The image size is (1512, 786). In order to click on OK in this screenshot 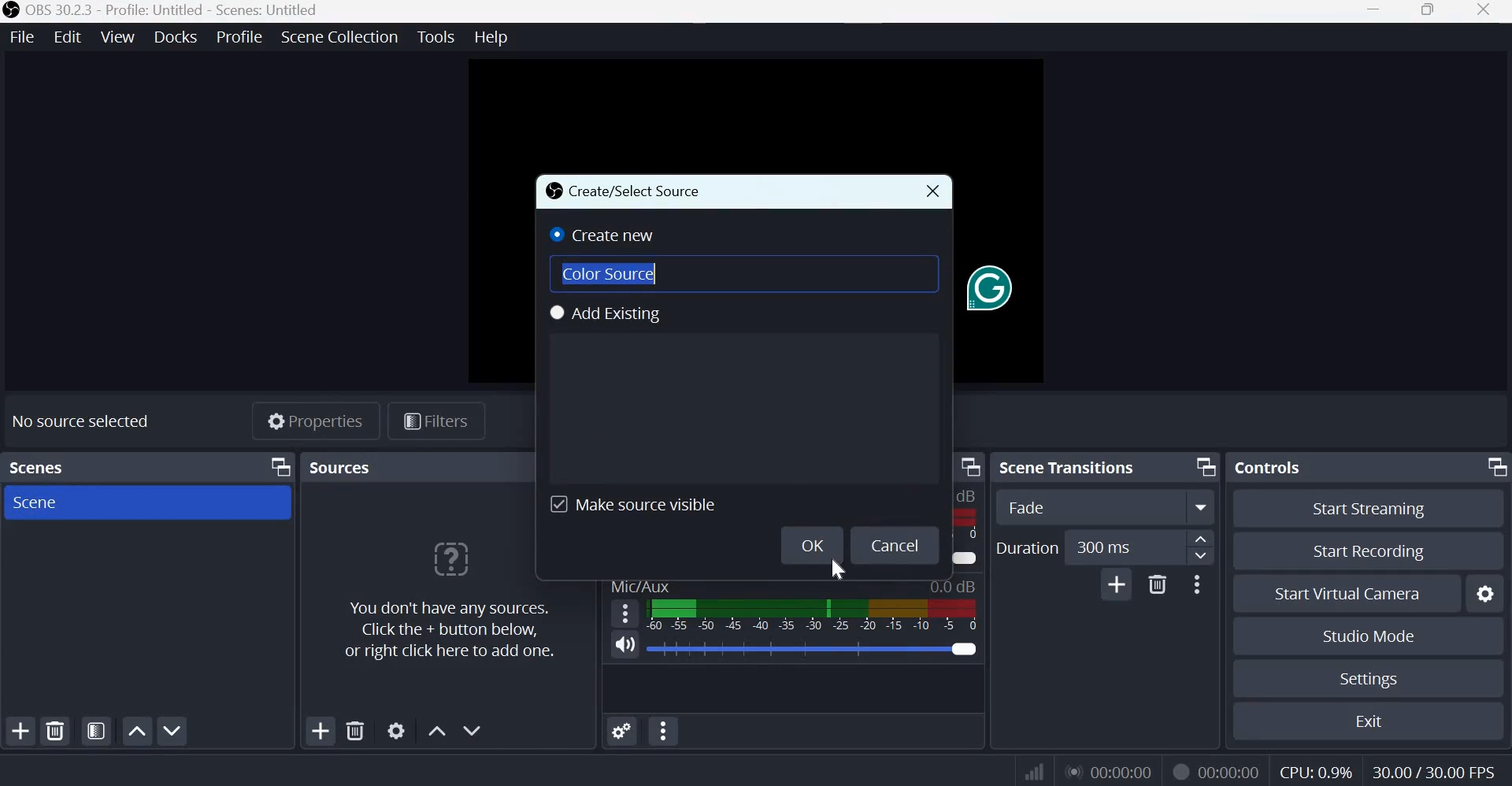, I will do `click(810, 541)`.